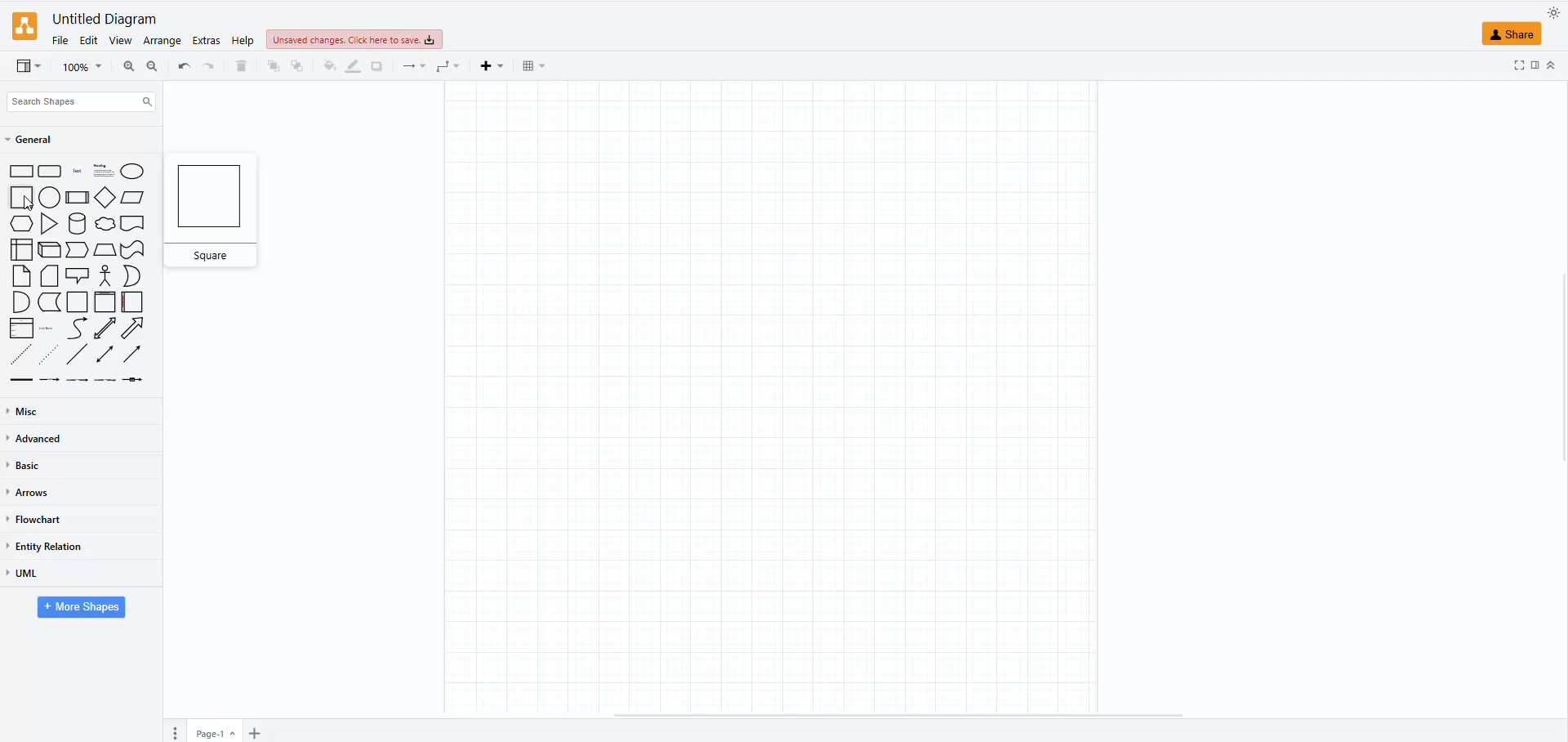 Image resolution: width=1568 pixels, height=742 pixels. I want to click on cursor, so click(27, 206).